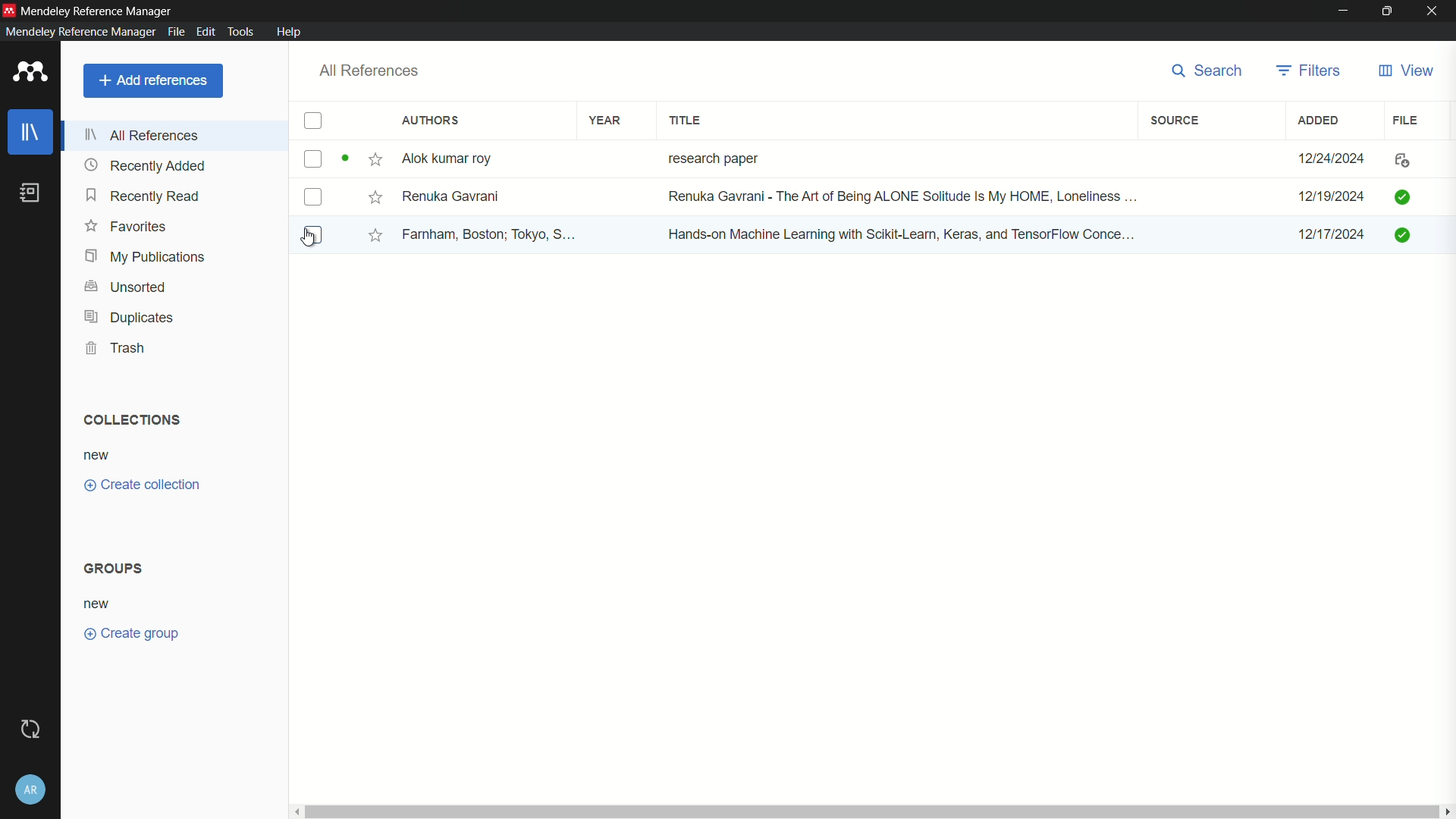  Describe the element at coordinates (1447, 811) in the screenshot. I see `scroll right` at that location.